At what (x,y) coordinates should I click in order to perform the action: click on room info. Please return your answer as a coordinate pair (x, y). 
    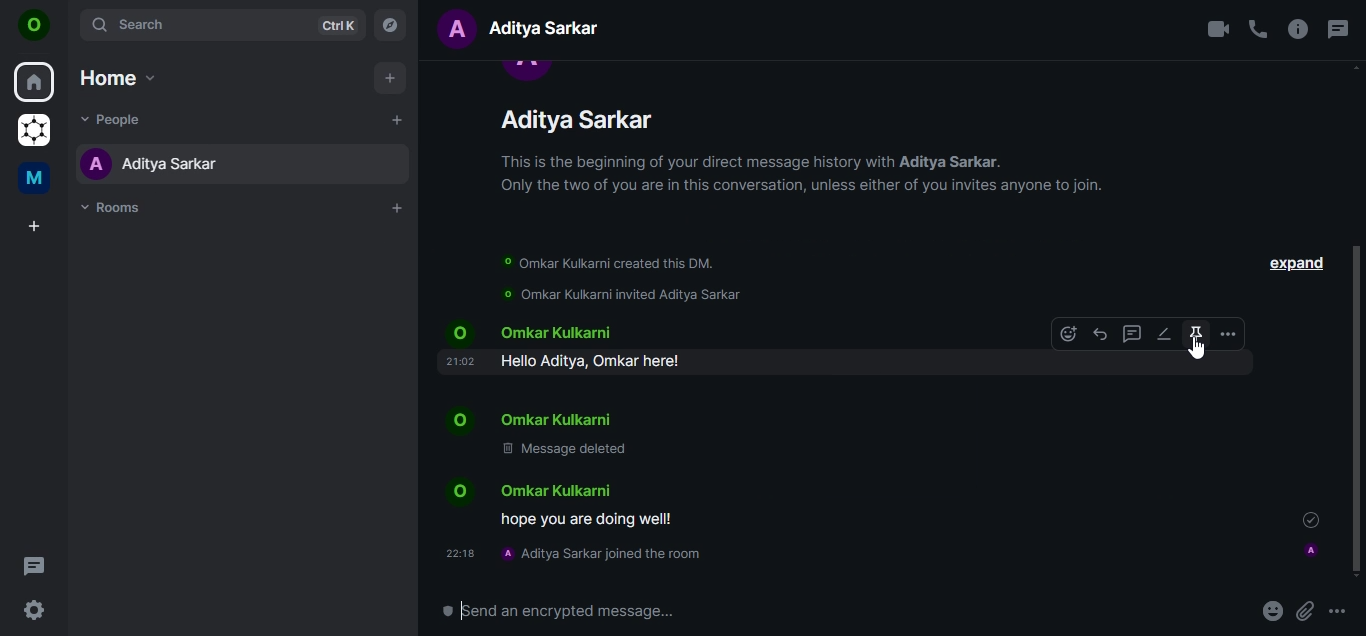
    Looking at the image, I should click on (1297, 28).